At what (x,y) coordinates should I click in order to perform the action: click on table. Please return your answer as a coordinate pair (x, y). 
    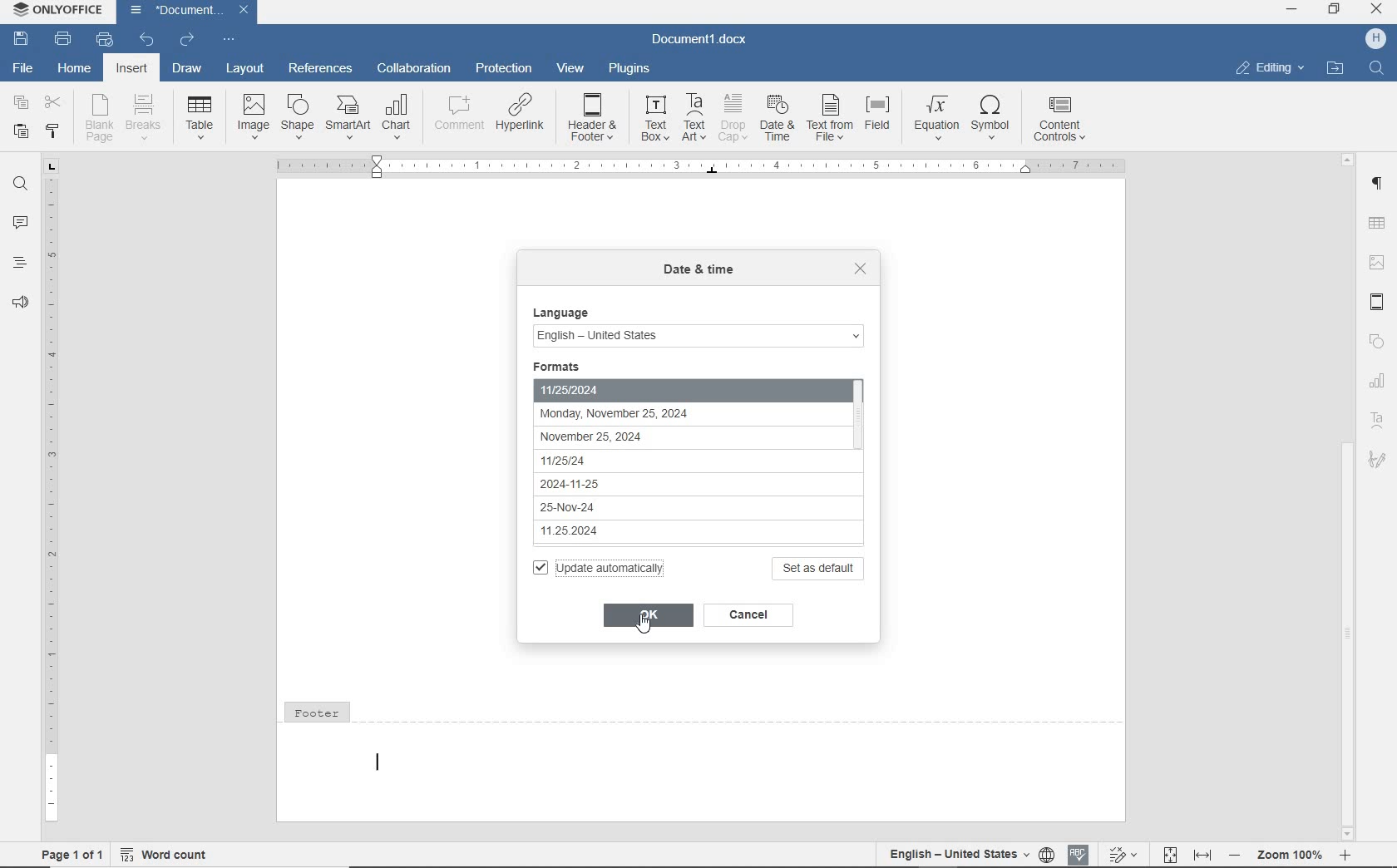
    Looking at the image, I should click on (201, 115).